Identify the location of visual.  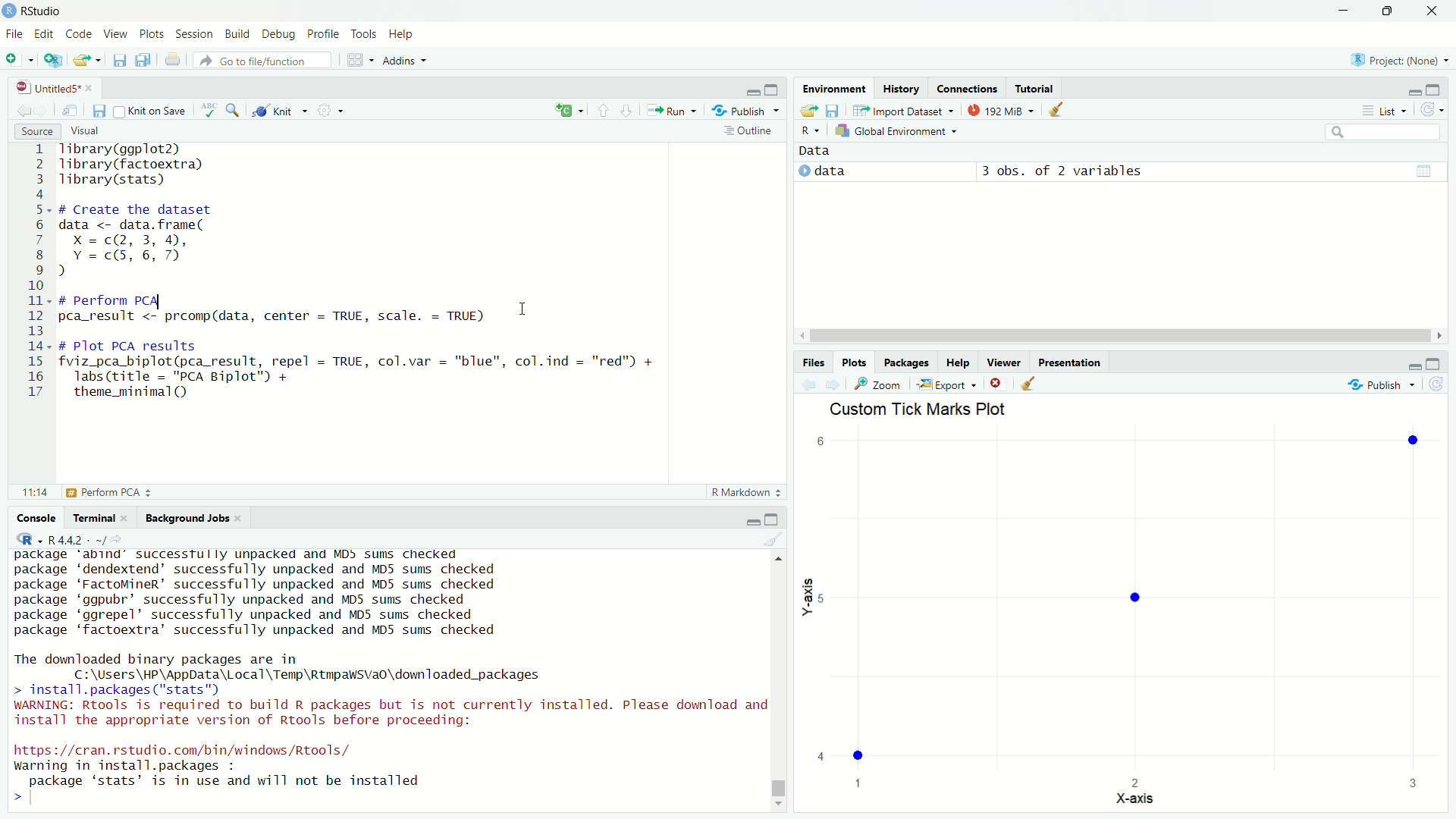
(86, 130).